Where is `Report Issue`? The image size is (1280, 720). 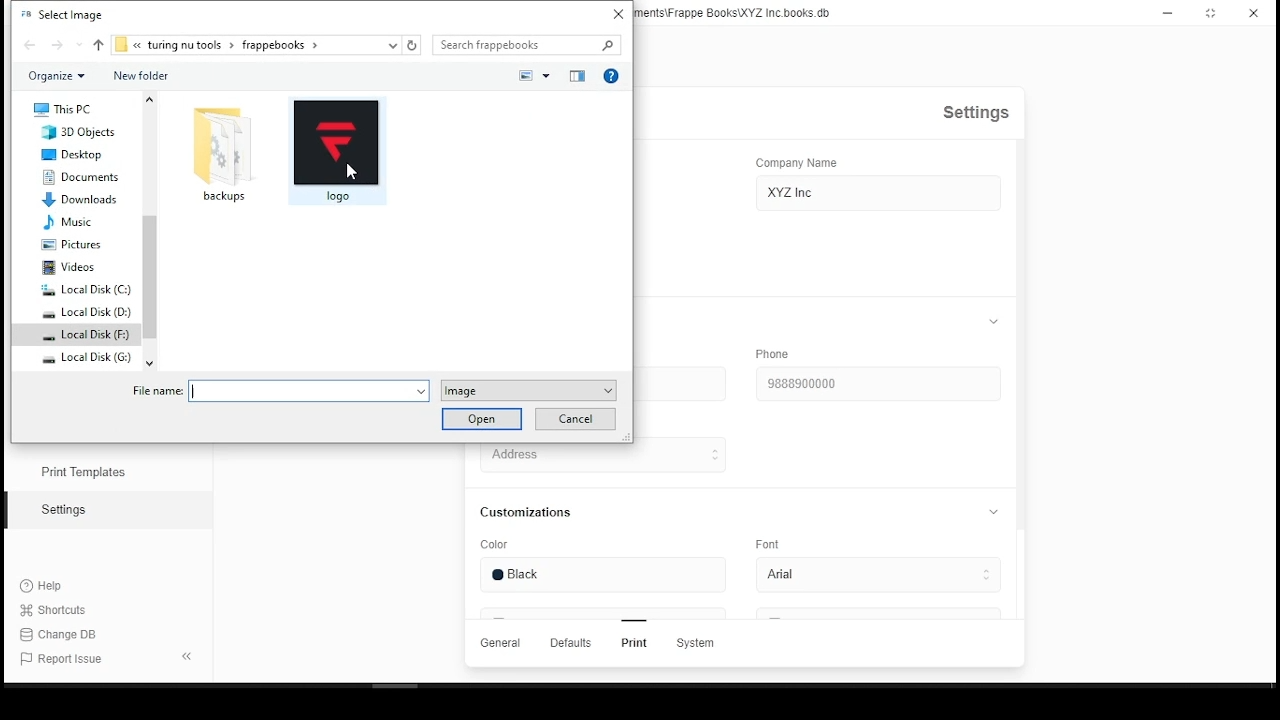
Report Issue is located at coordinates (62, 660).